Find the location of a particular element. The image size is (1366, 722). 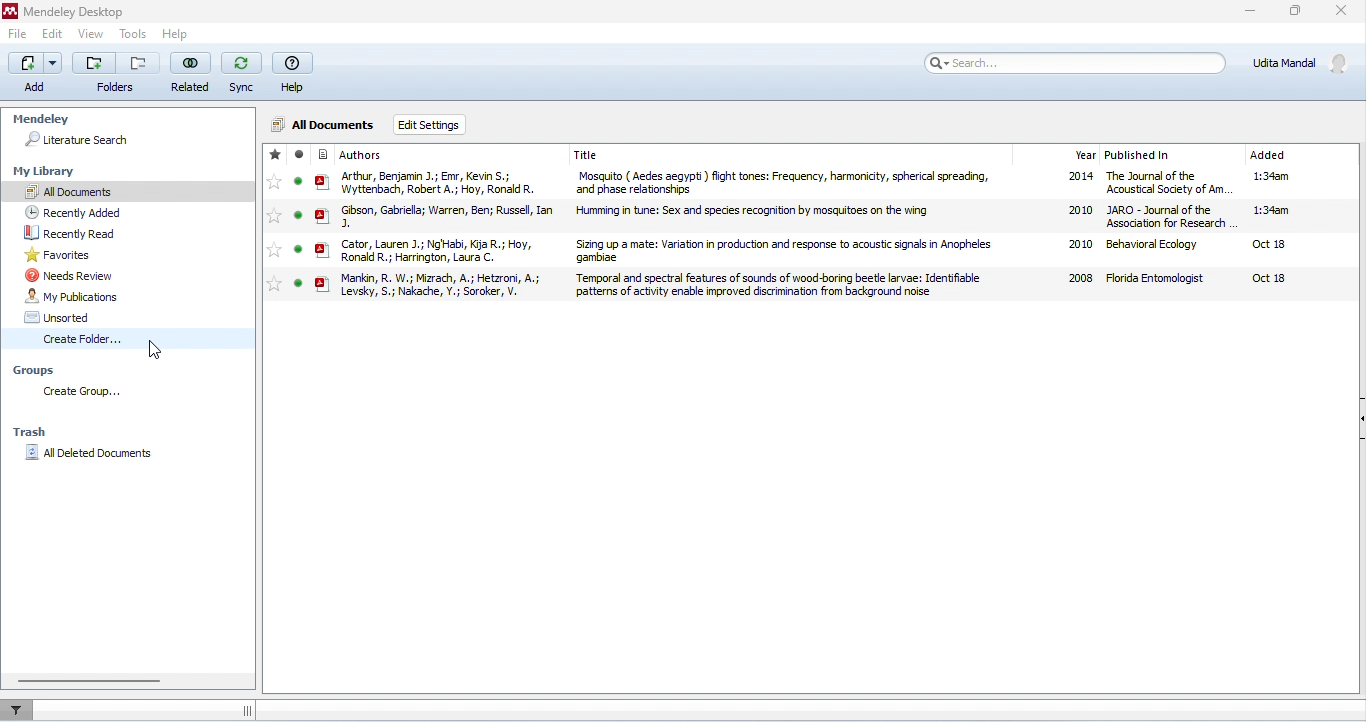

1:34 am is located at coordinates (1270, 177).